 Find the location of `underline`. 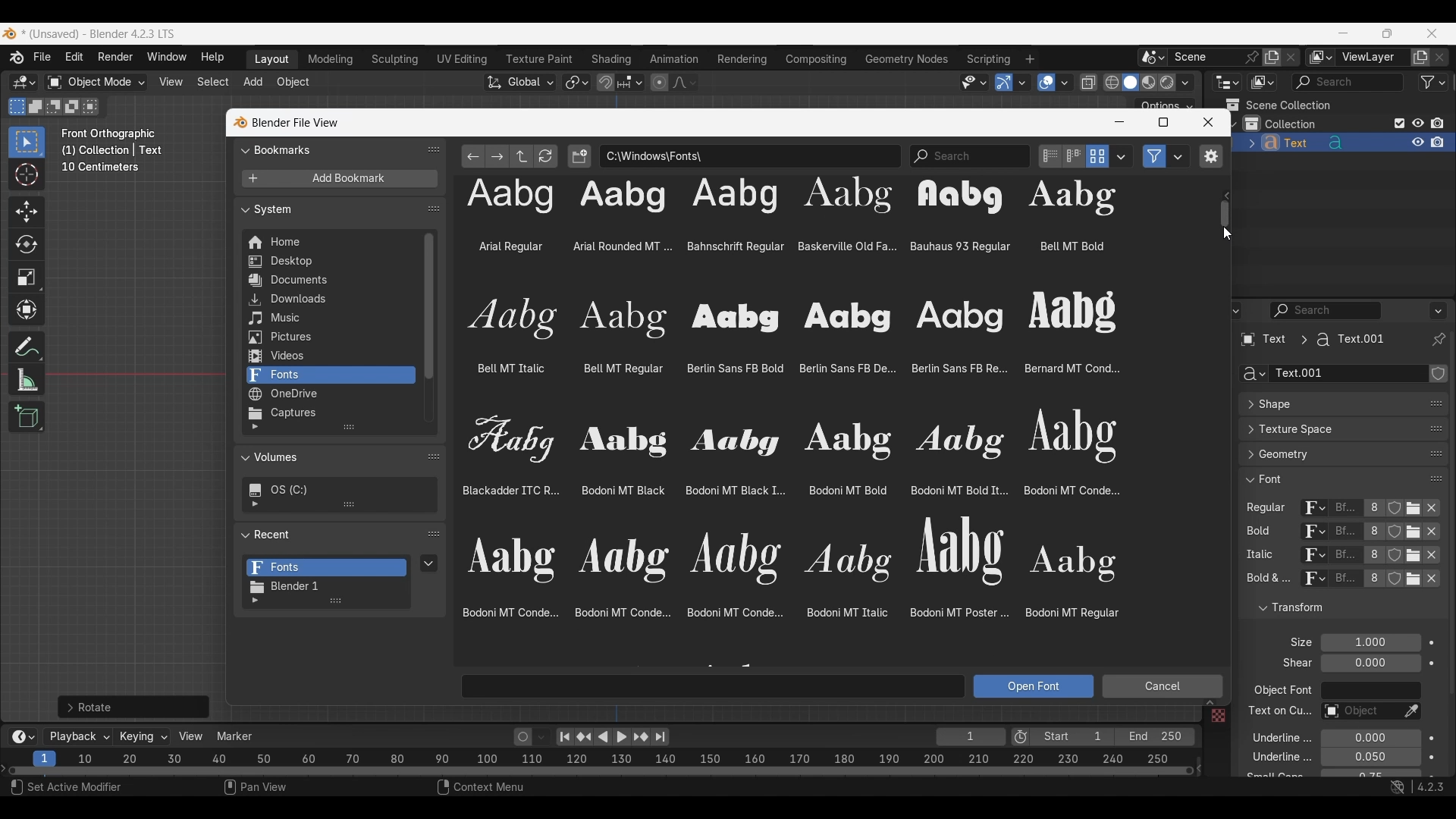

underline is located at coordinates (1272, 737).